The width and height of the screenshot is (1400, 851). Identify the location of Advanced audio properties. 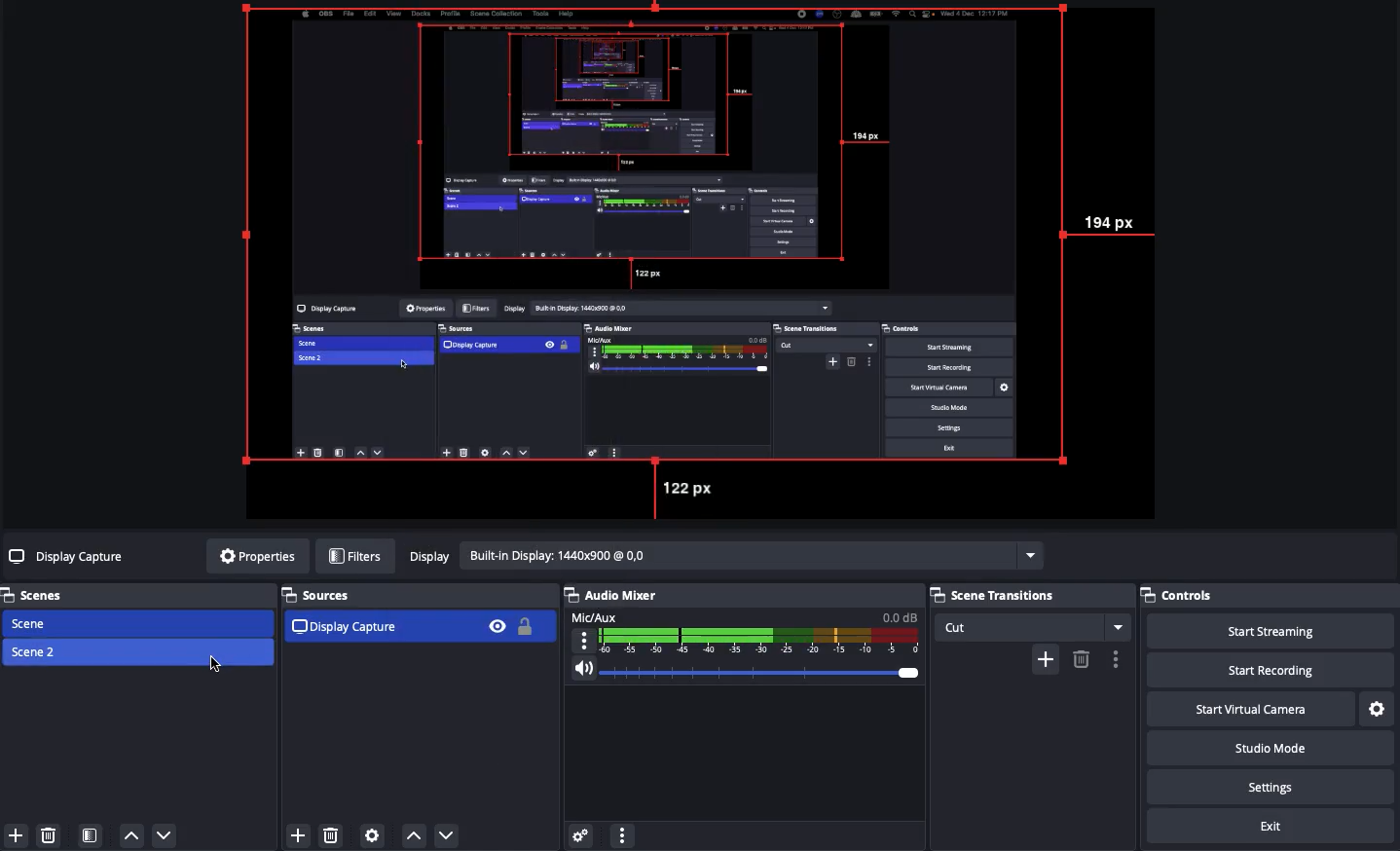
(581, 832).